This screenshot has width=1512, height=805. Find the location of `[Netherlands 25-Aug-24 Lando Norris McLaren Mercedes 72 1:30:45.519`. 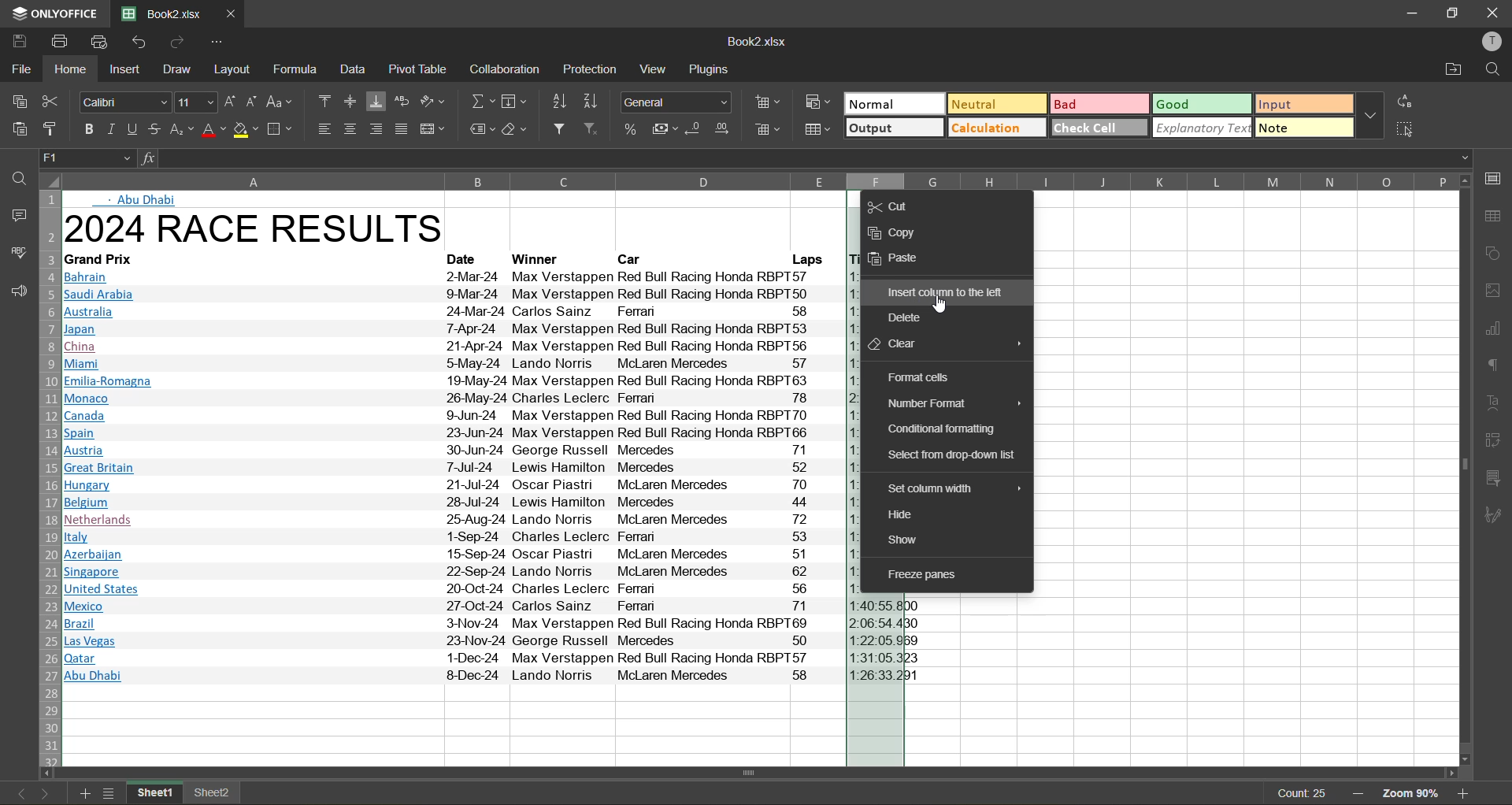

[Netherlands 25-Aug-24 Lando Norris McLaren Mercedes 72 1:30:45.519 is located at coordinates (450, 521).